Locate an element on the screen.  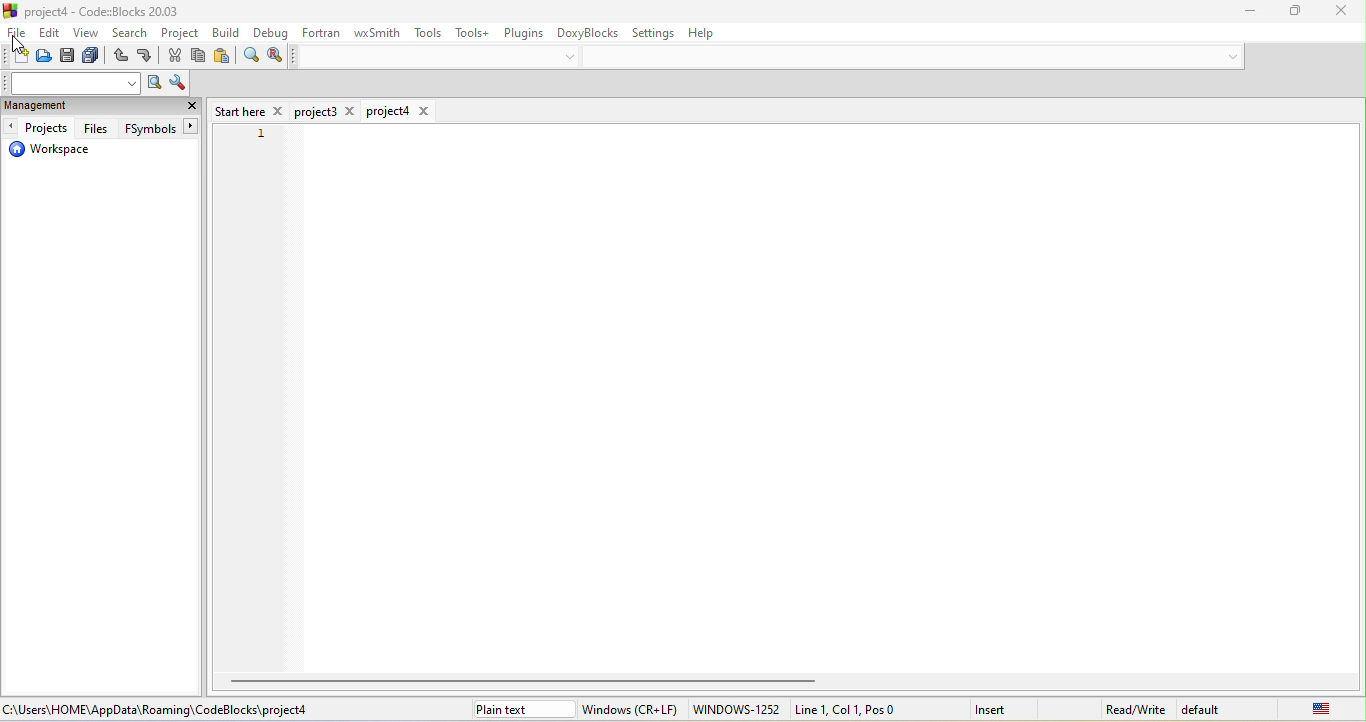
line 1, col 1, pos0 is located at coordinates (869, 709).